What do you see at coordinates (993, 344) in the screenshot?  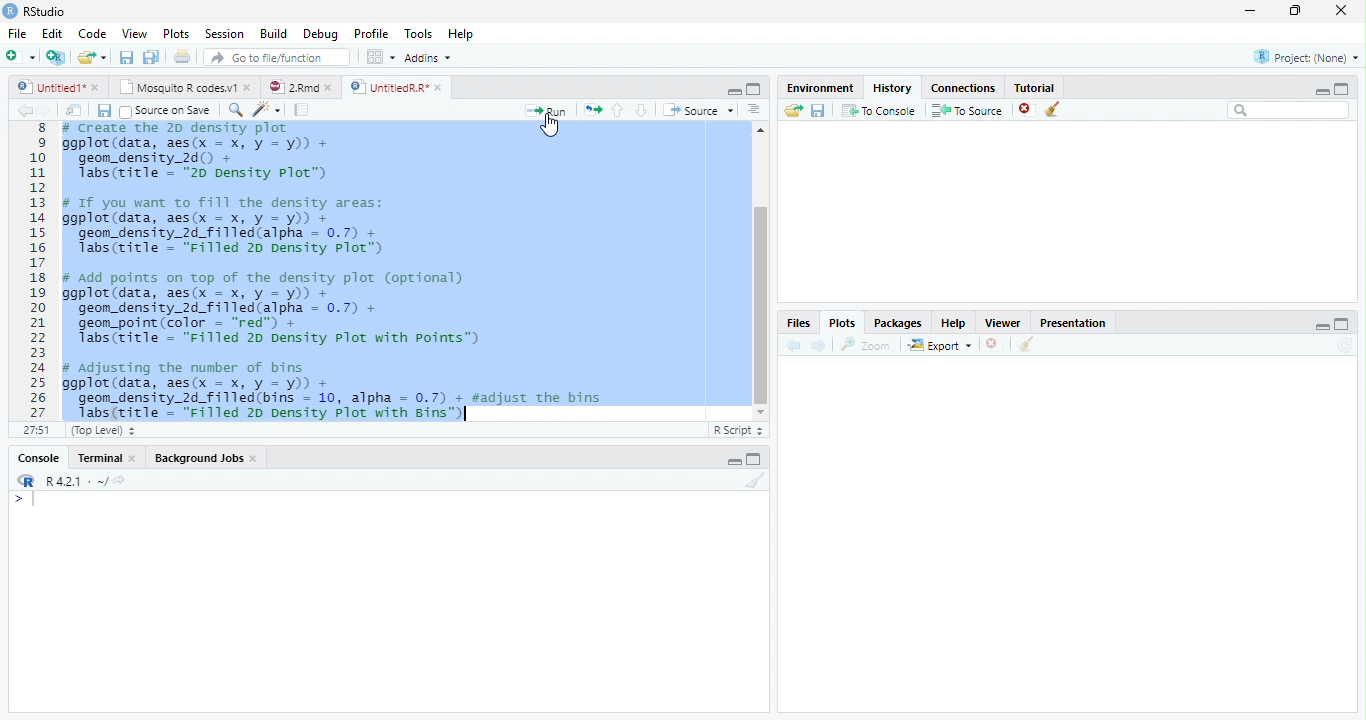 I see `close` at bounding box center [993, 344].